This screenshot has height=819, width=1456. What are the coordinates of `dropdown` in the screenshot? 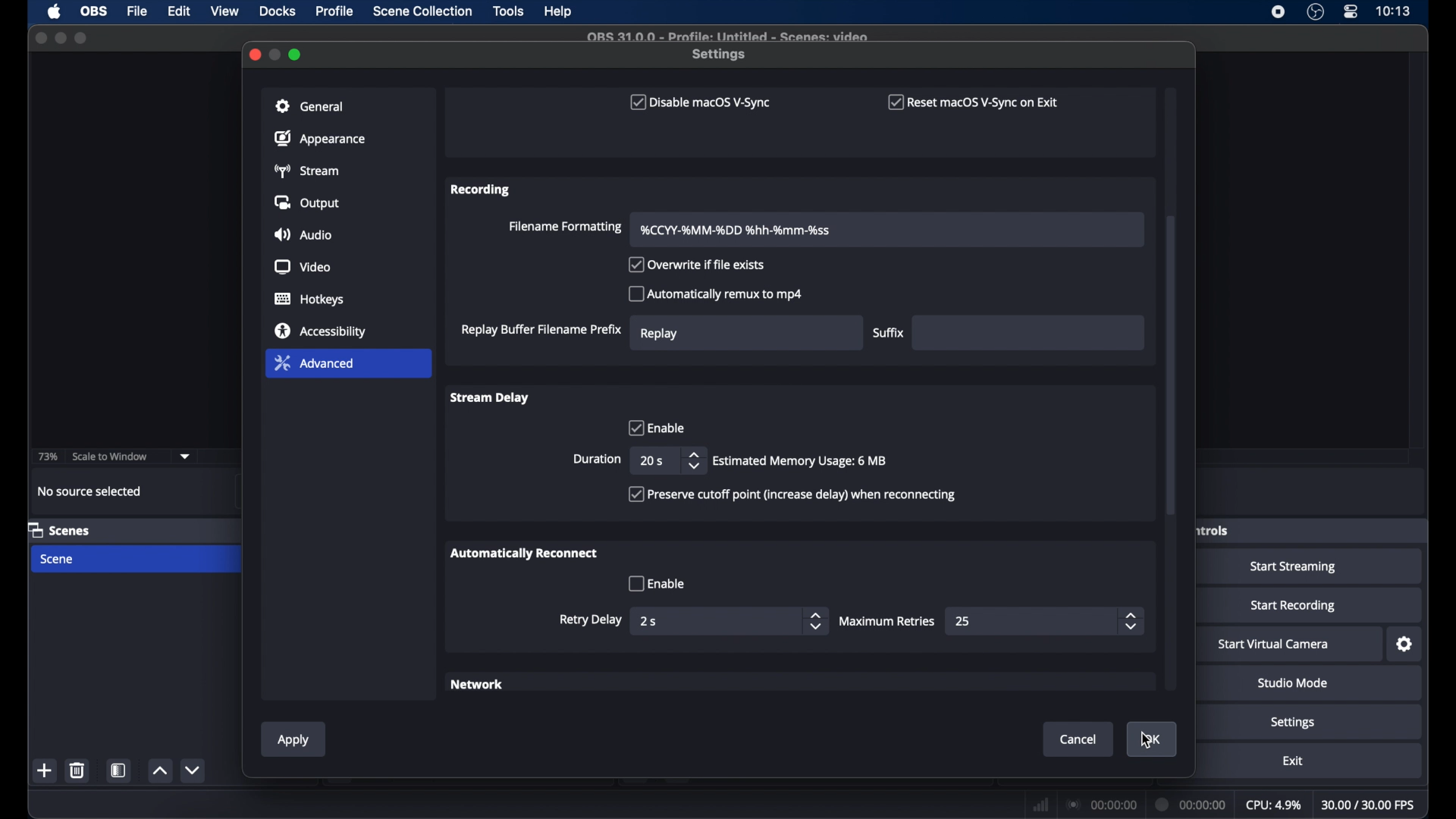 It's located at (185, 457).